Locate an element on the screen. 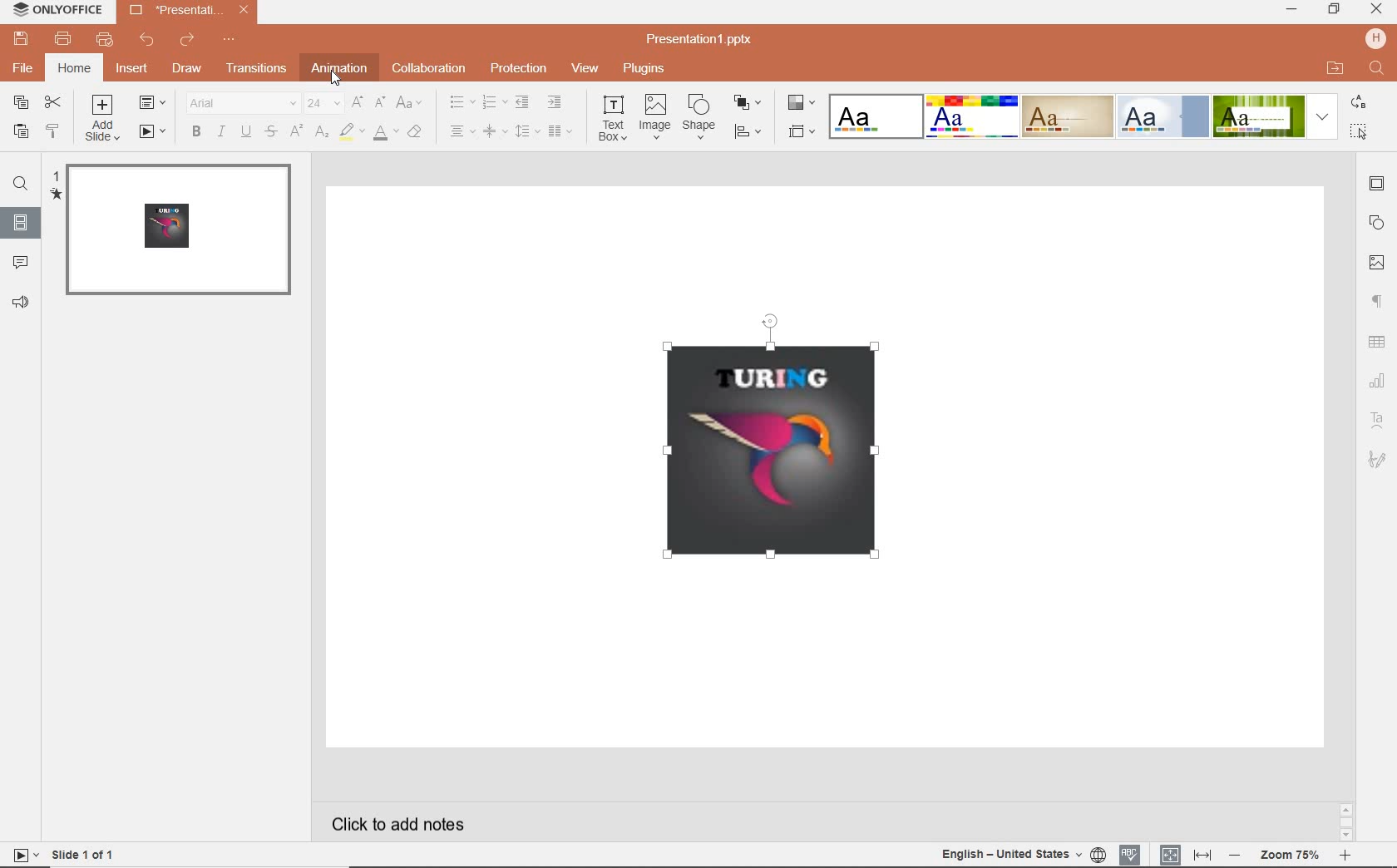 The image size is (1397, 868). home is located at coordinates (72, 67).